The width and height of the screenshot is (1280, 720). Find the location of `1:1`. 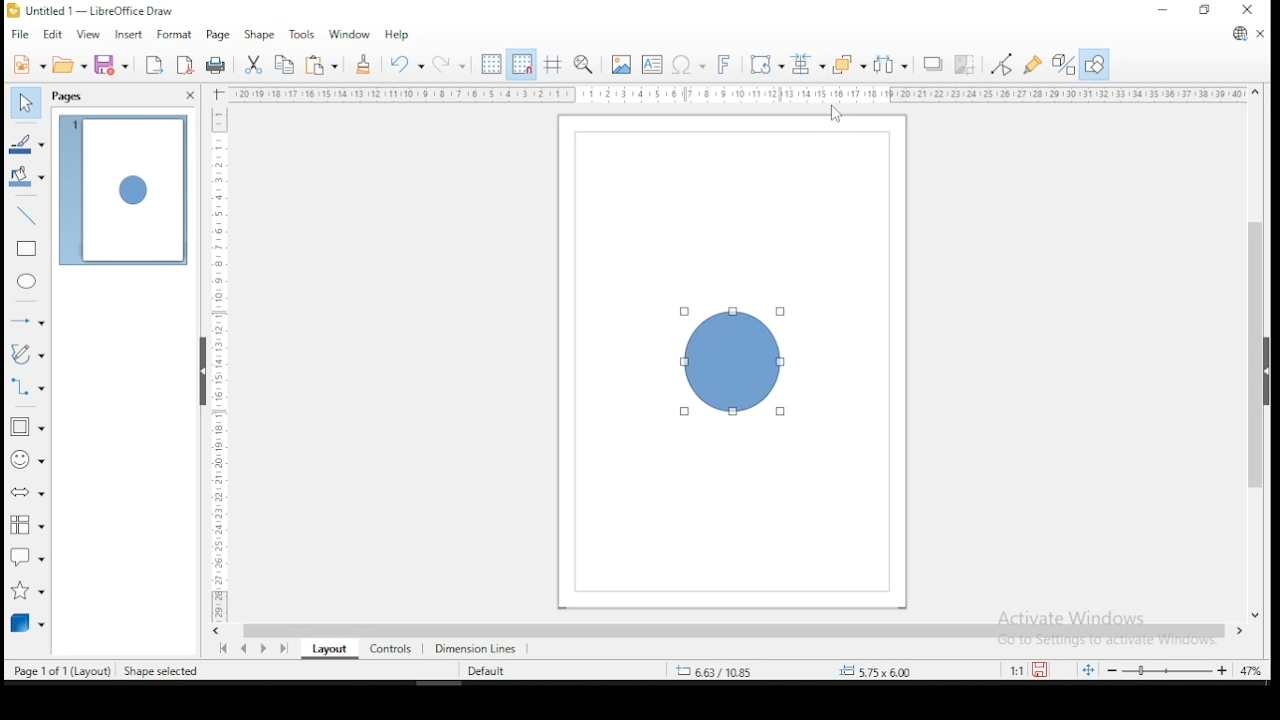

1:1 is located at coordinates (1015, 670).